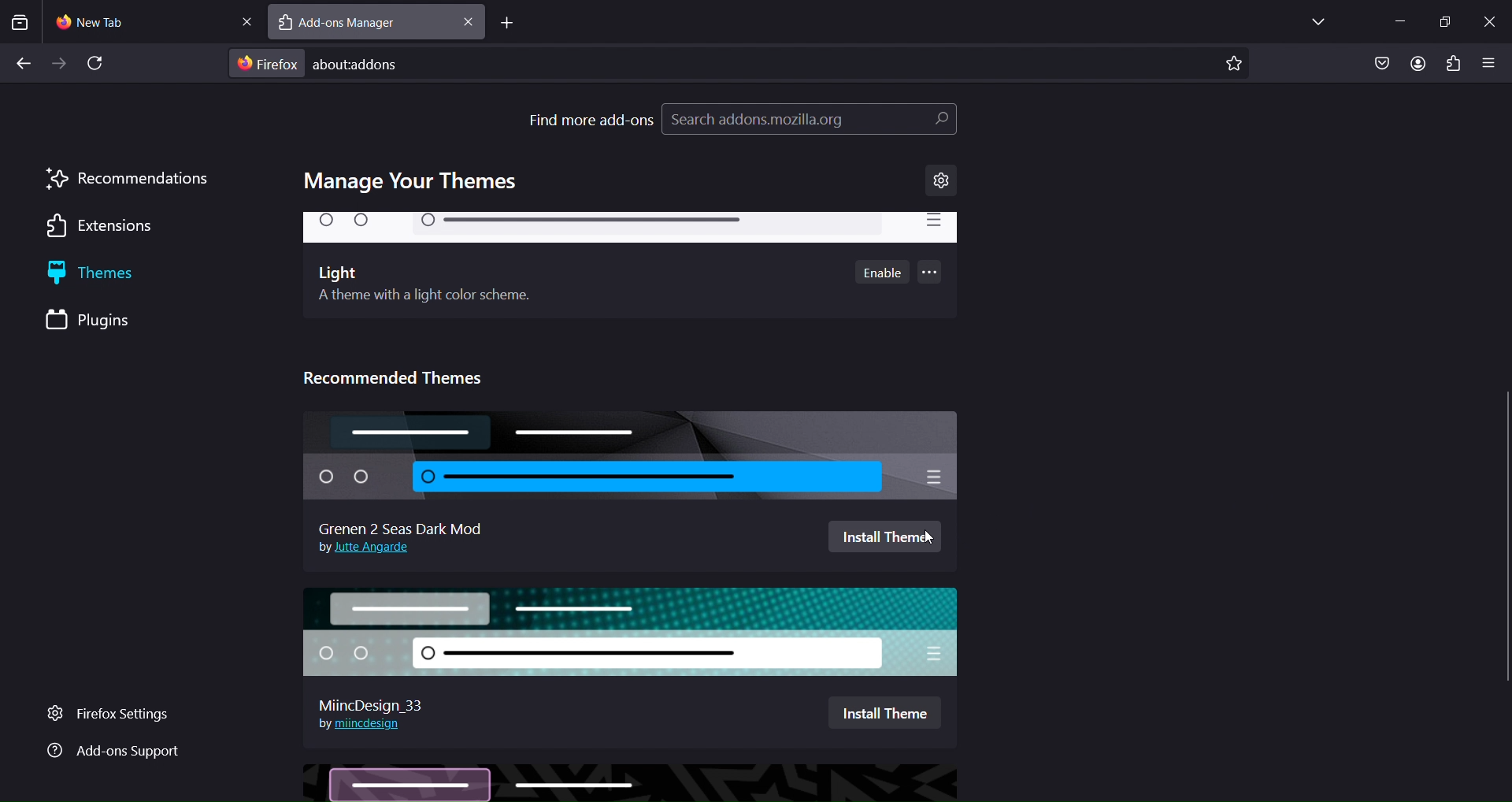 The width and height of the screenshot is (1512, 802). What do you see at coordinates (24, 61) in the screenshot?
I see `go back one page` at bounding box center [24, 61].